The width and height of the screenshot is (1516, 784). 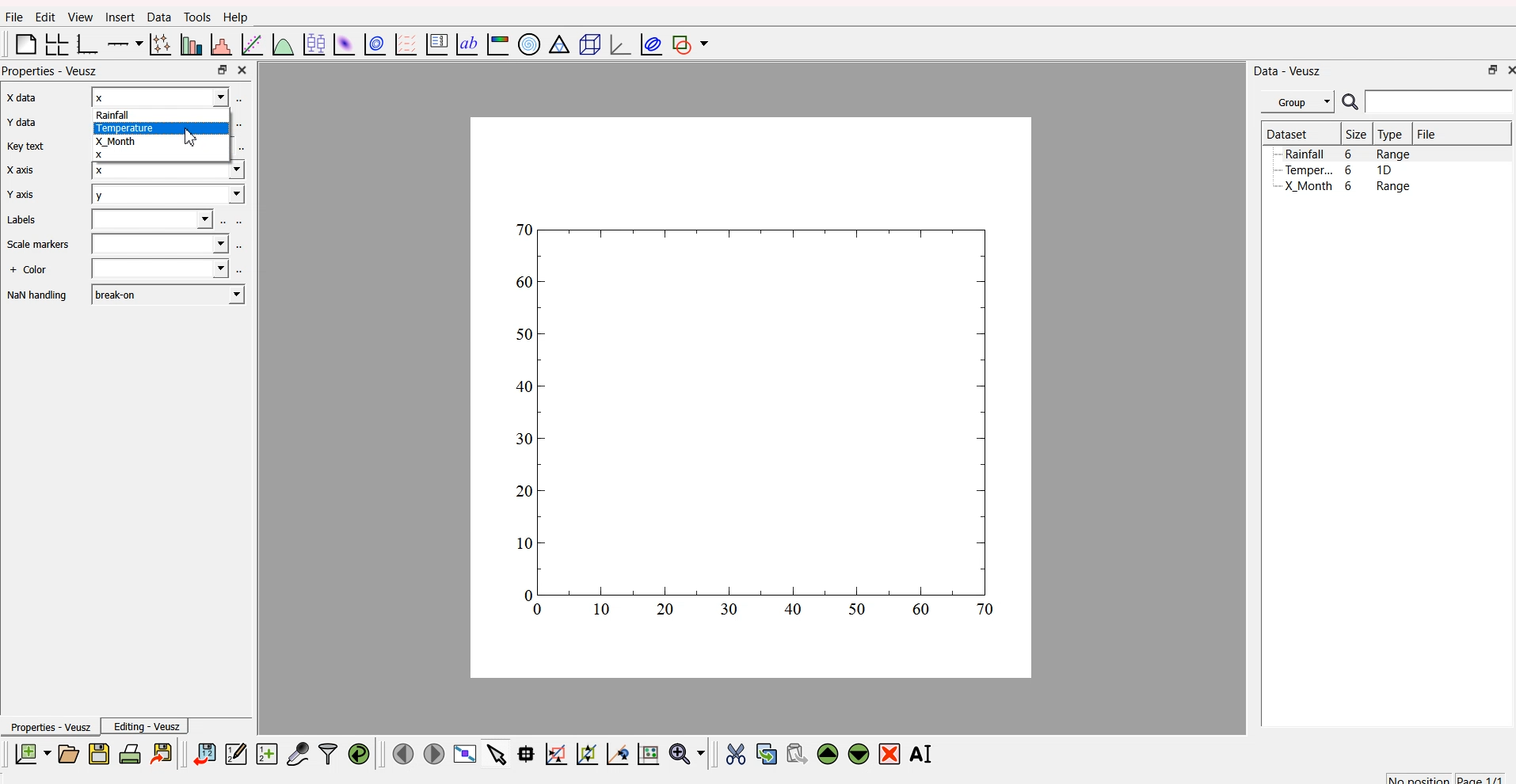 I want to click on Flle, so click(x=14, y=19).